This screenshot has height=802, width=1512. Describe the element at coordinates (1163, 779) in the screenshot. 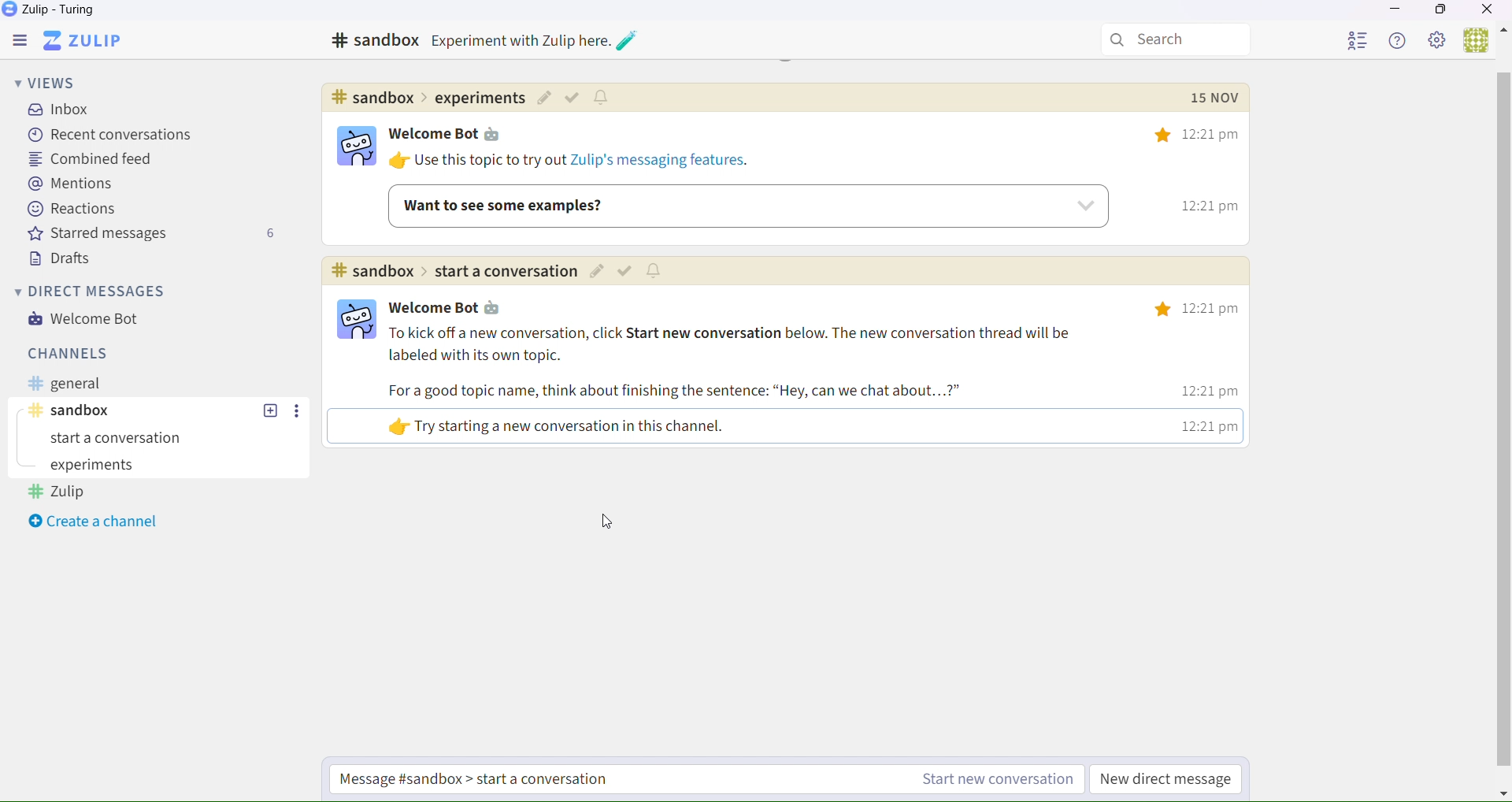

I see `New direct message` at that location.